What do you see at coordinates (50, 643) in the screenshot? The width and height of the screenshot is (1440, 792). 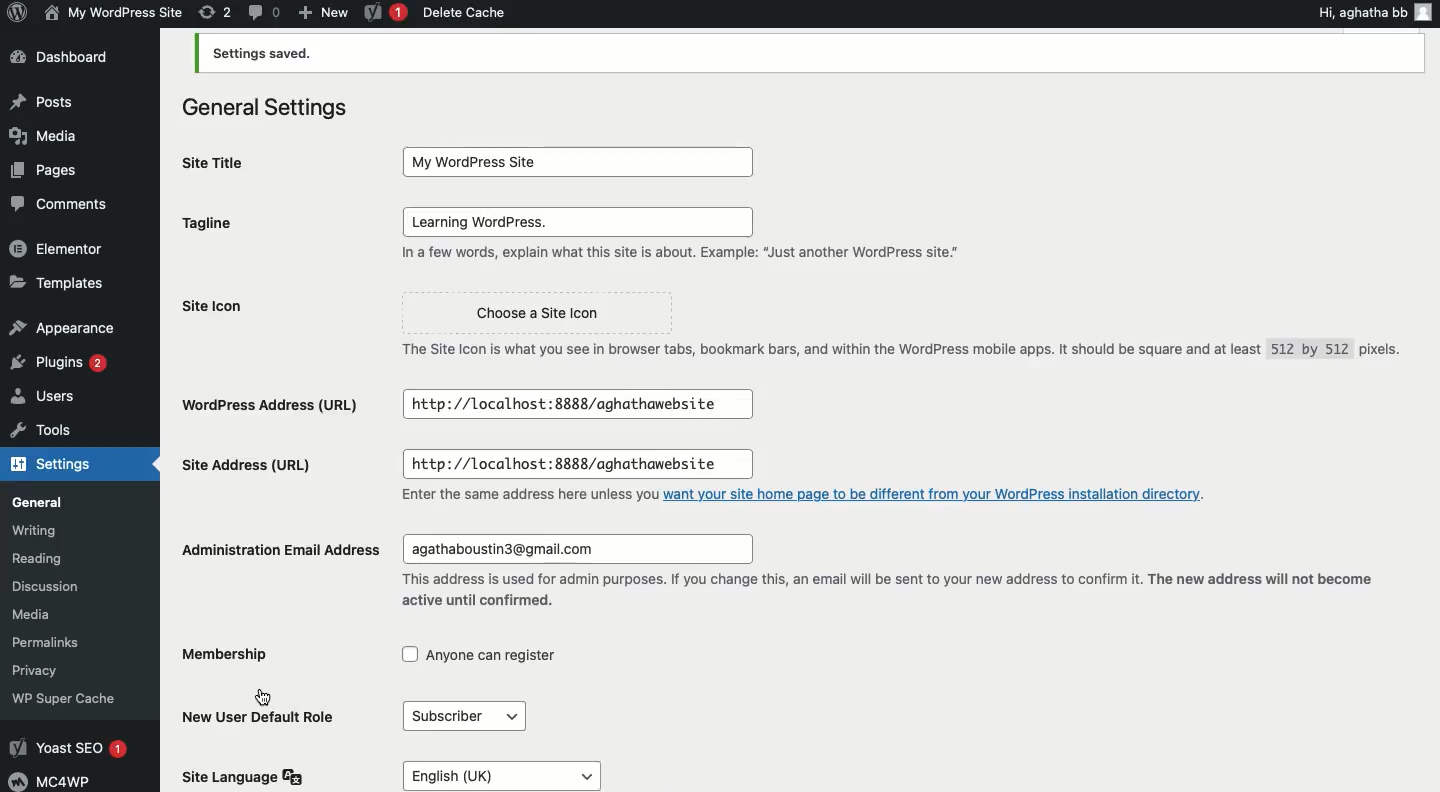 I see `Permalinks` at bounding box center [50, 643].